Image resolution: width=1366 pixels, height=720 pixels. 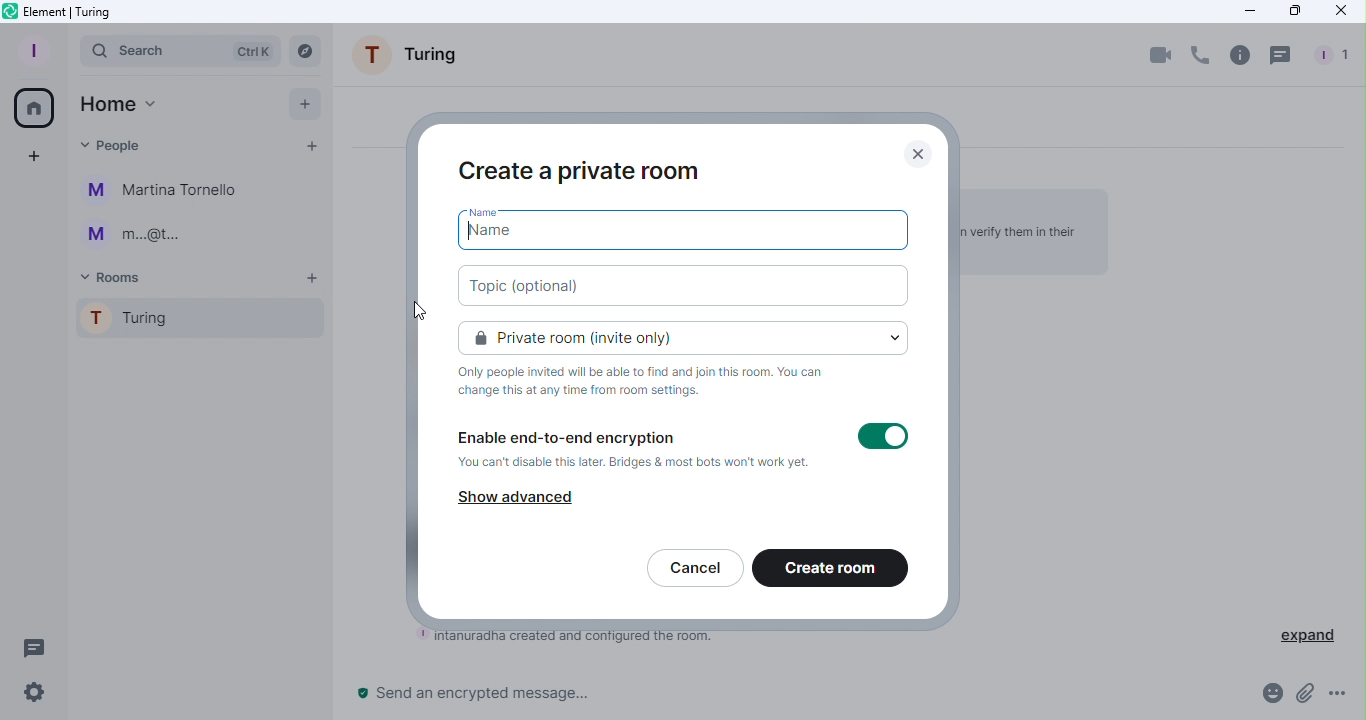 I want to click on Home, so click(x=31, y=105).